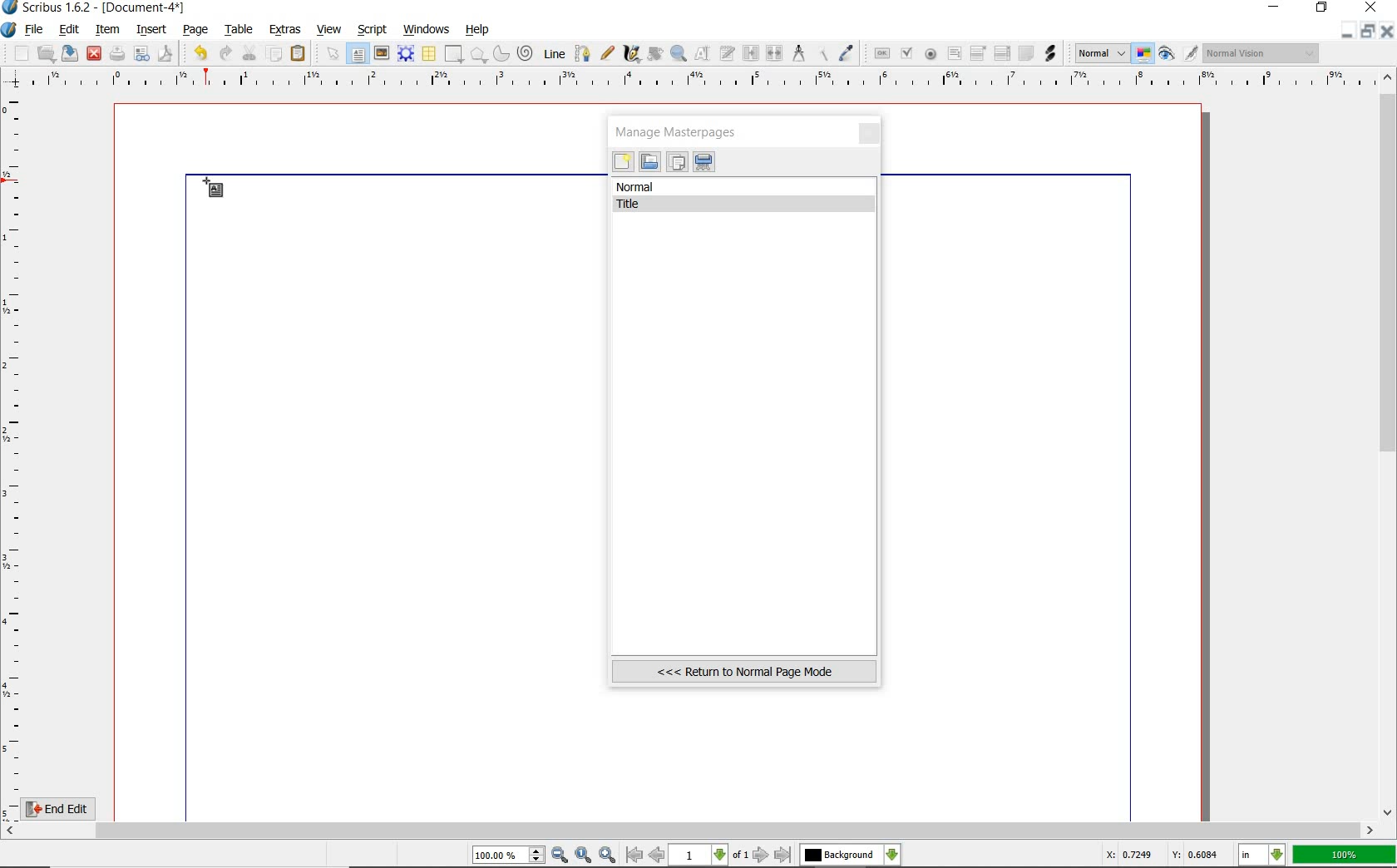 This screenshot has height=868, width=1397. I want to click on of 1, so click(740, 856).